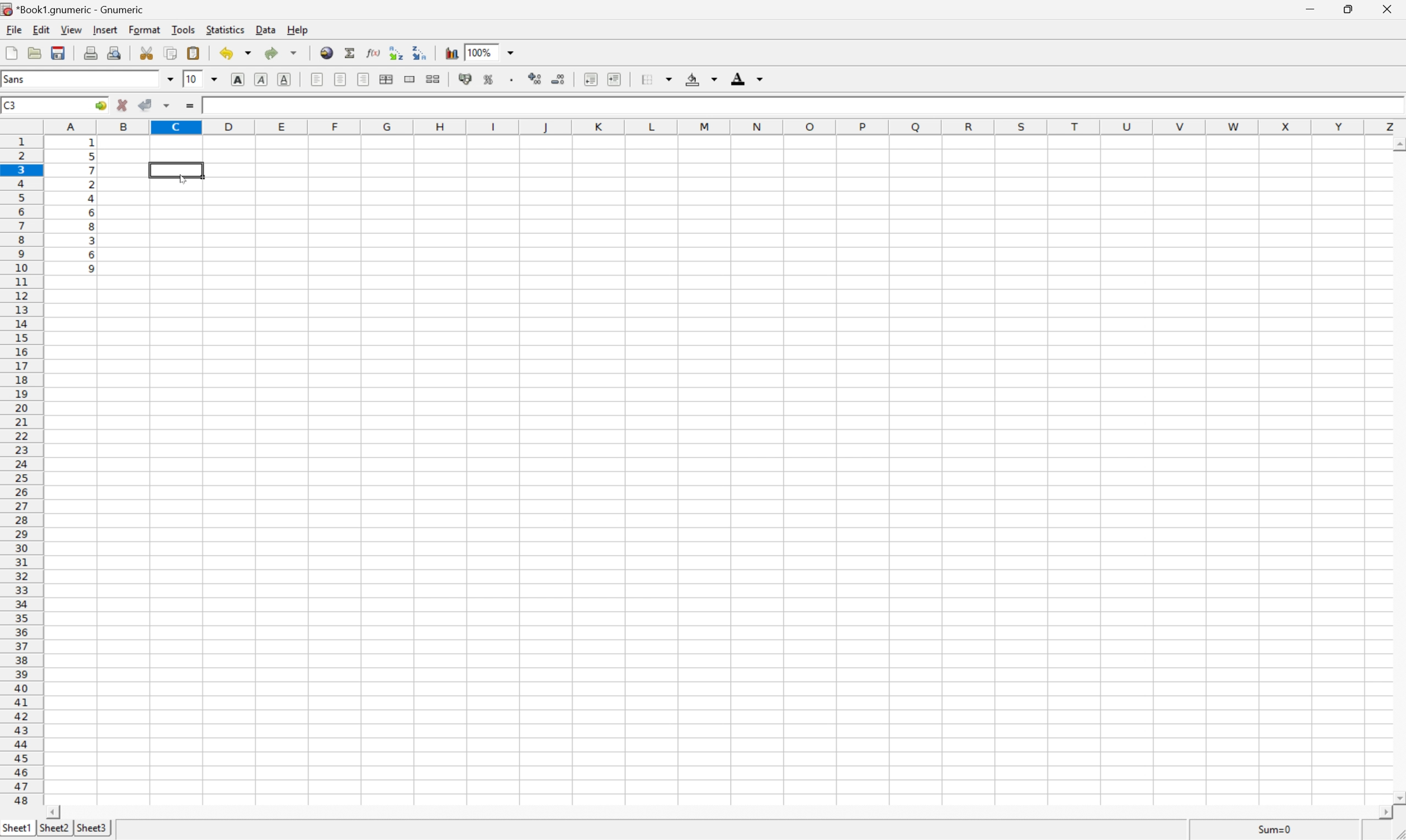  Describe the element at coordinates (656, 79) in the screenshot. I see `borders` at that location.